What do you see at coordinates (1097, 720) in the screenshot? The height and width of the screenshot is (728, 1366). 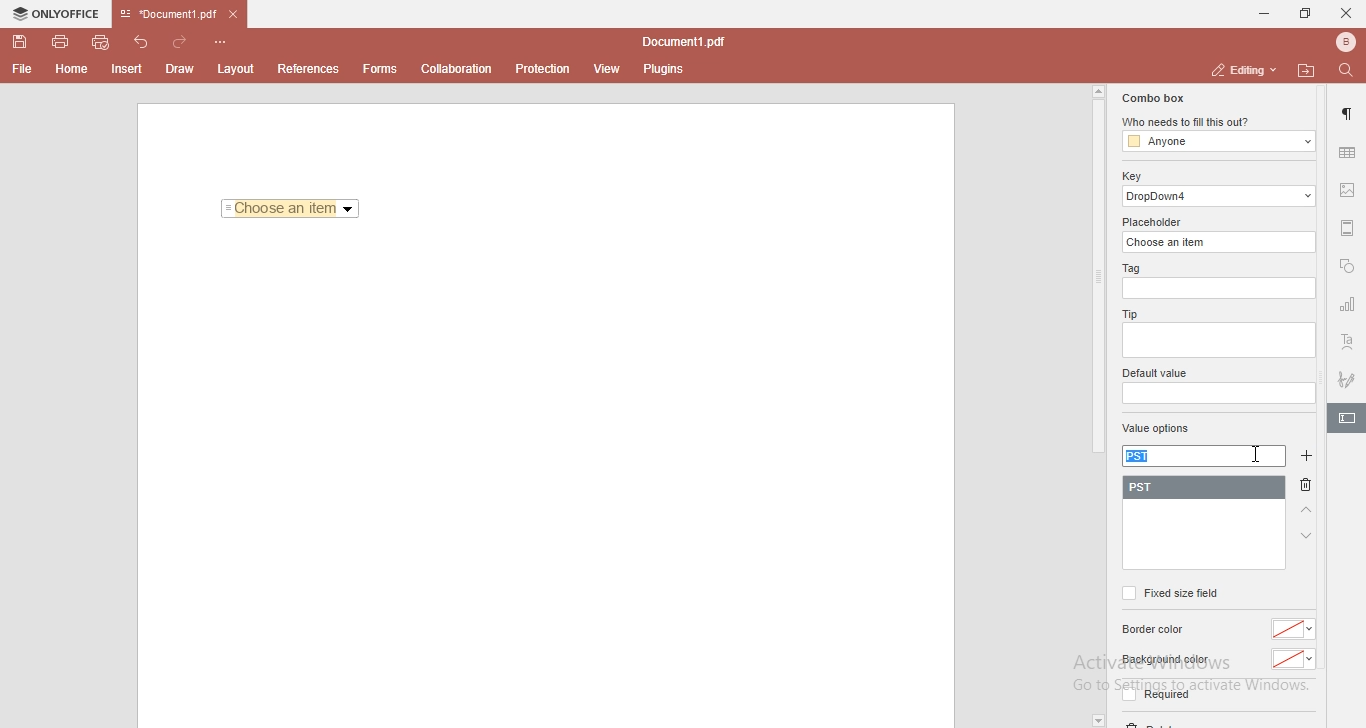 I see `dropdown` at bounding box center [1097, 720].